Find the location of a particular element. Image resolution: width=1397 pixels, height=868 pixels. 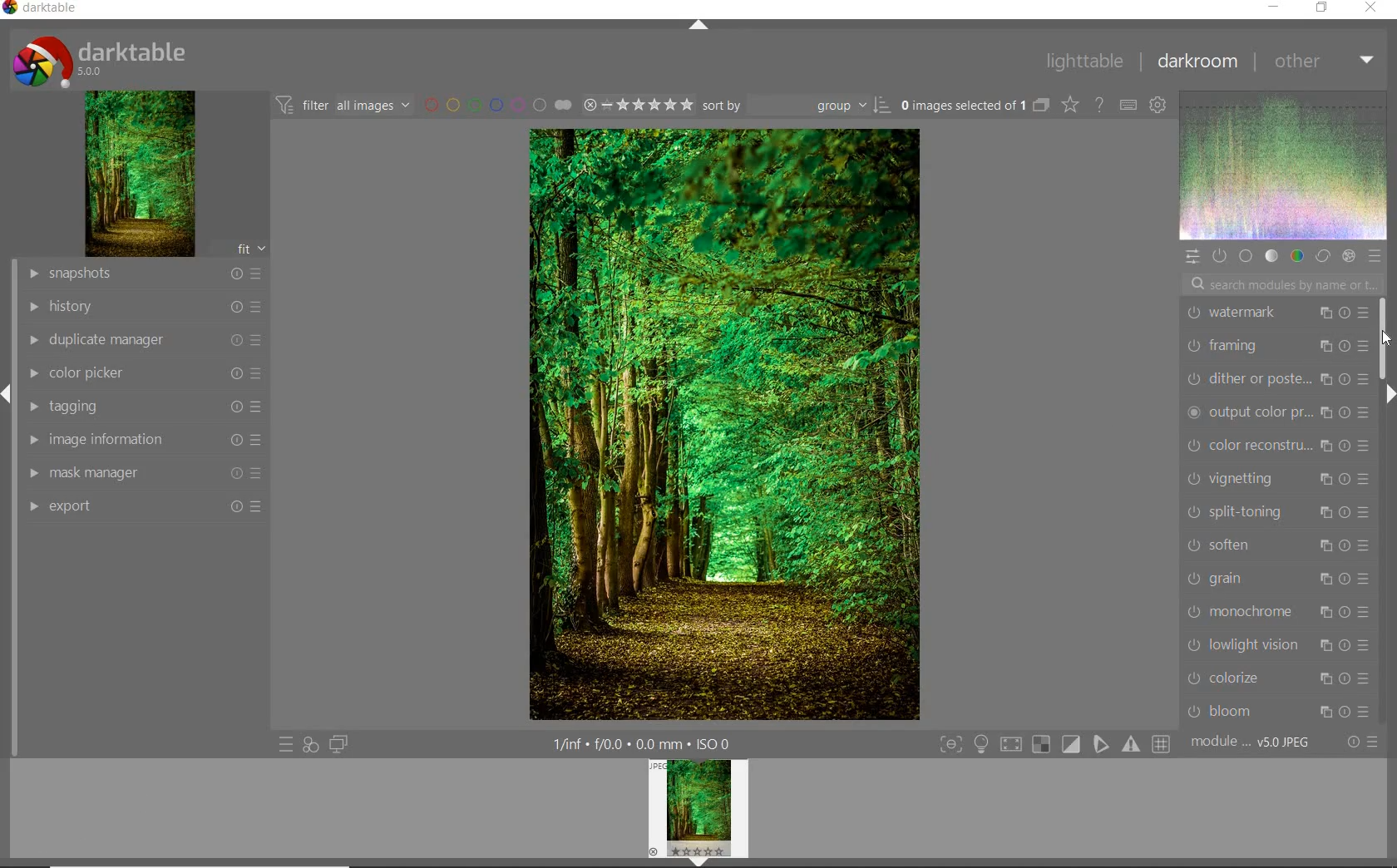

EXPAND/COLLAPSE is located at coordinates (1389, 396).